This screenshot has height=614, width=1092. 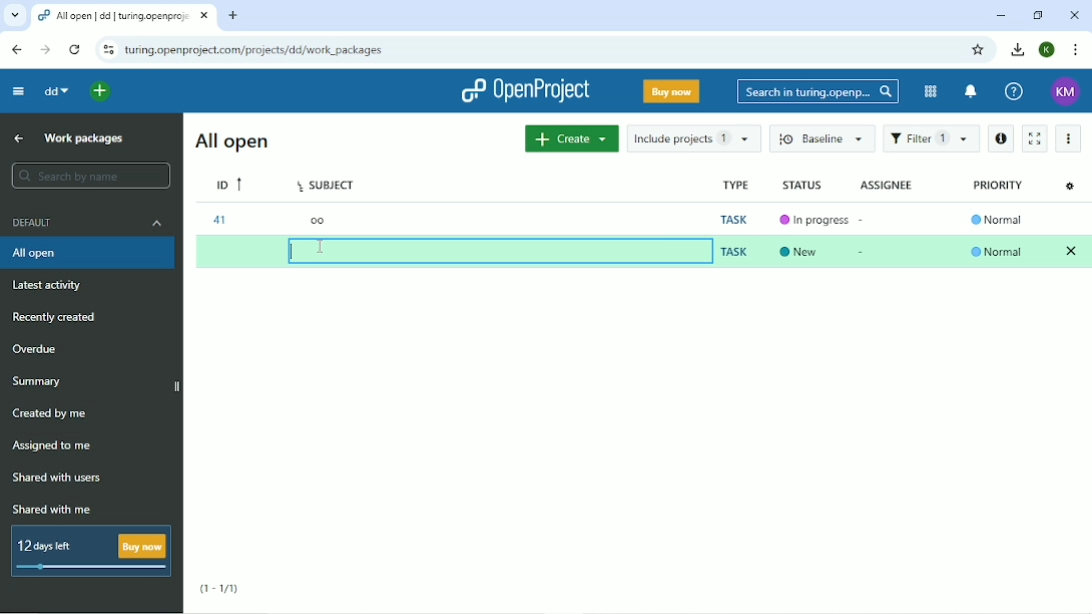 I want to click on Bookmark this tab, so click(x=979, y=50).